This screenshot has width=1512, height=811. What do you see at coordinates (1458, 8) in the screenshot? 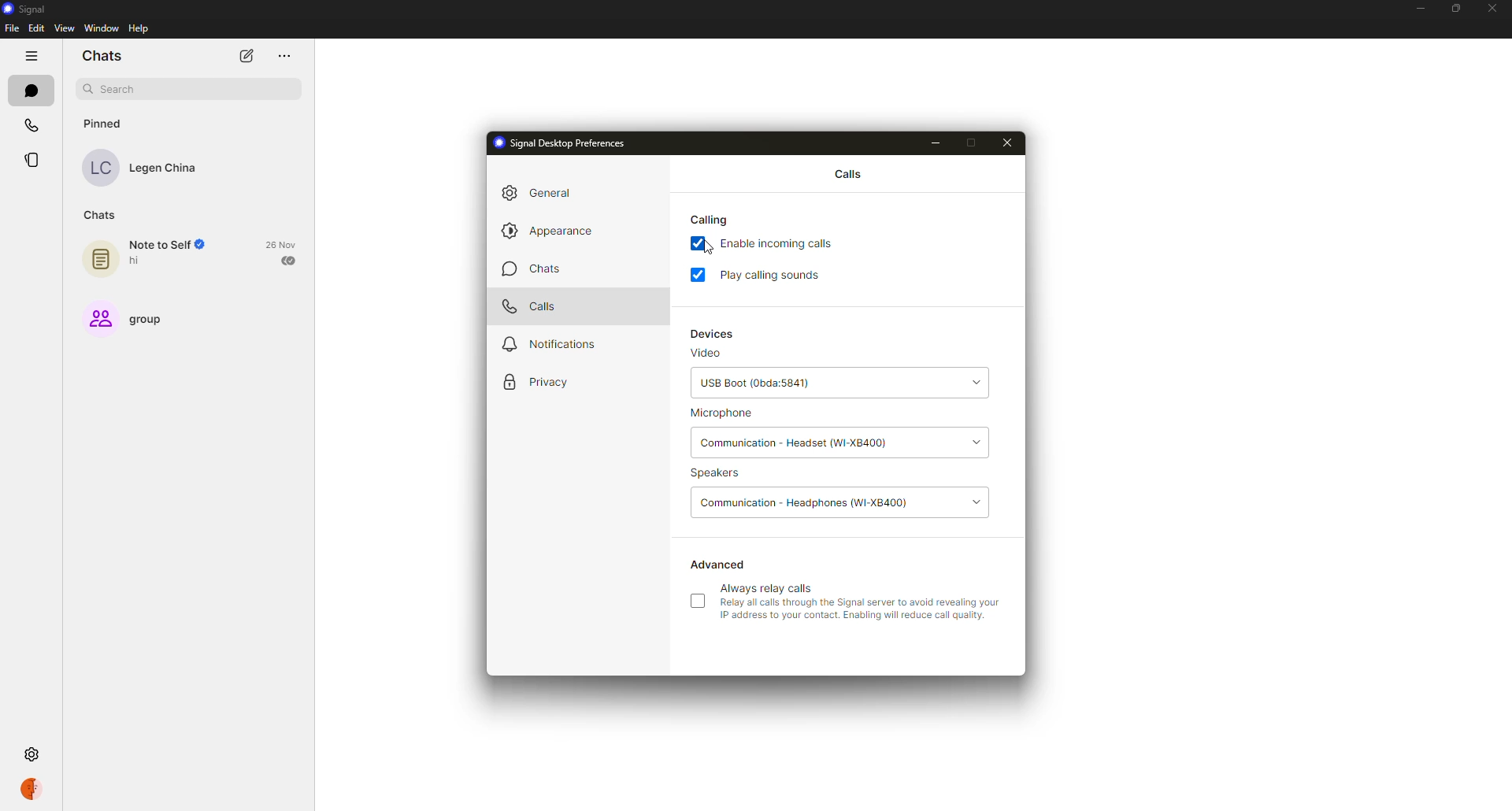
I see `maximize` at bounding box center [1458, 8].